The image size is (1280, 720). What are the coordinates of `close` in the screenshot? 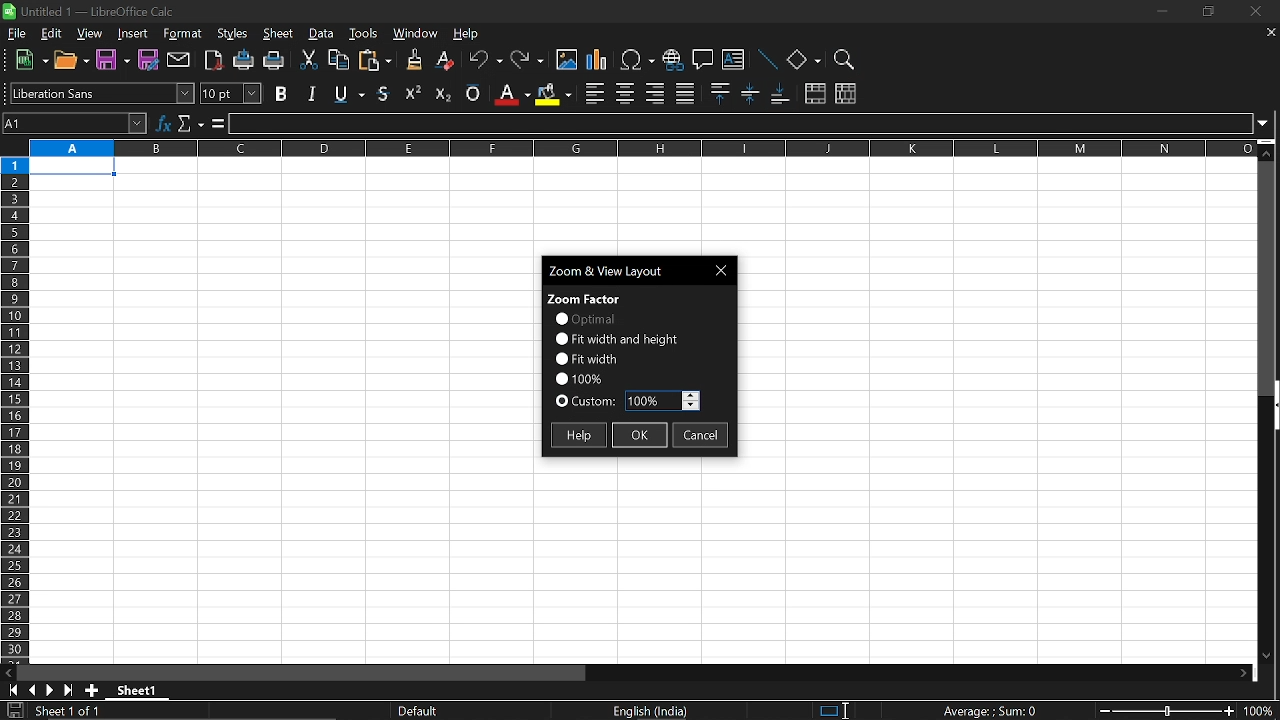 It's located at (1252, 13).